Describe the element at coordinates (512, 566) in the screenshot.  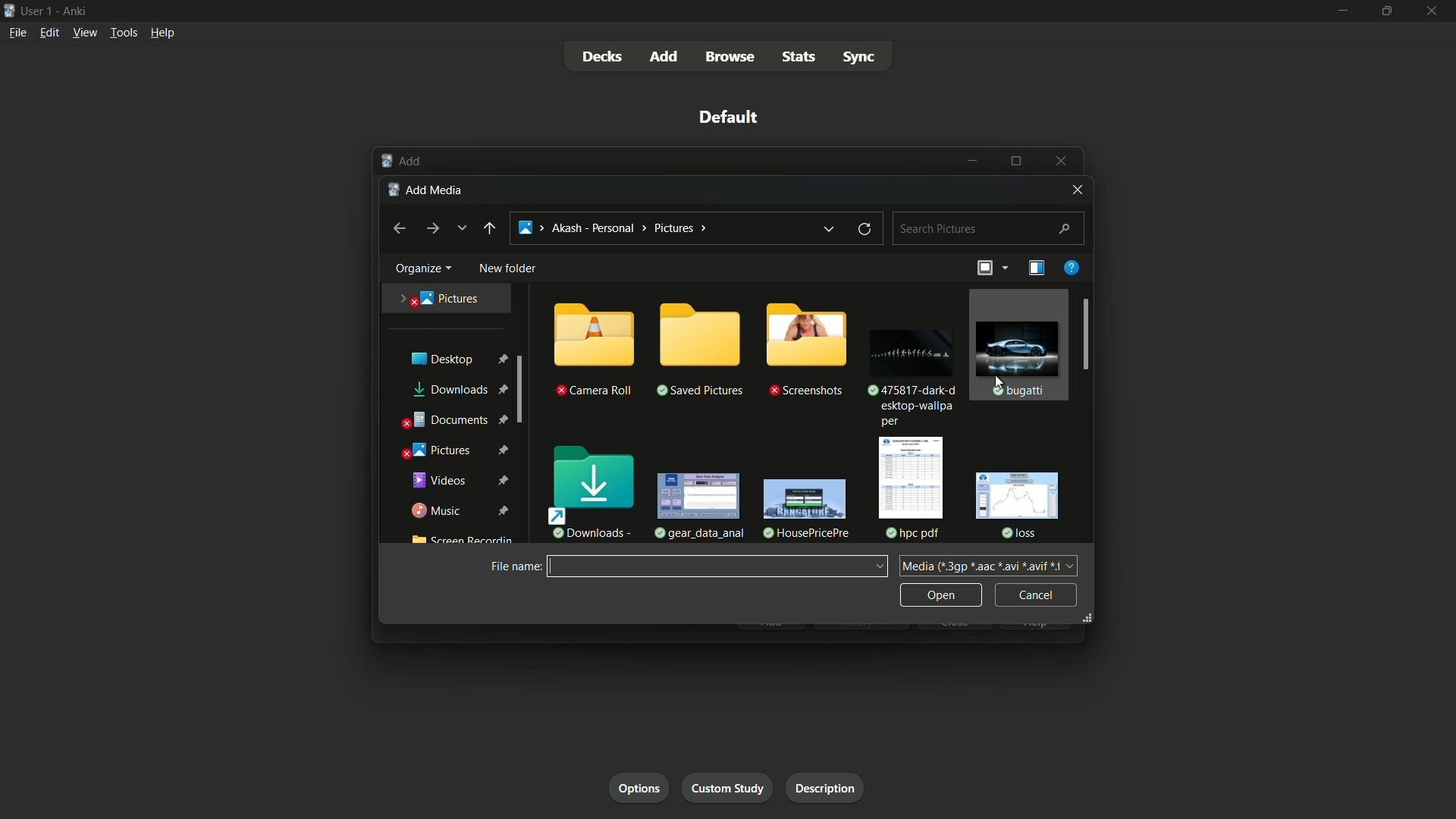
I see `file name` at that location.